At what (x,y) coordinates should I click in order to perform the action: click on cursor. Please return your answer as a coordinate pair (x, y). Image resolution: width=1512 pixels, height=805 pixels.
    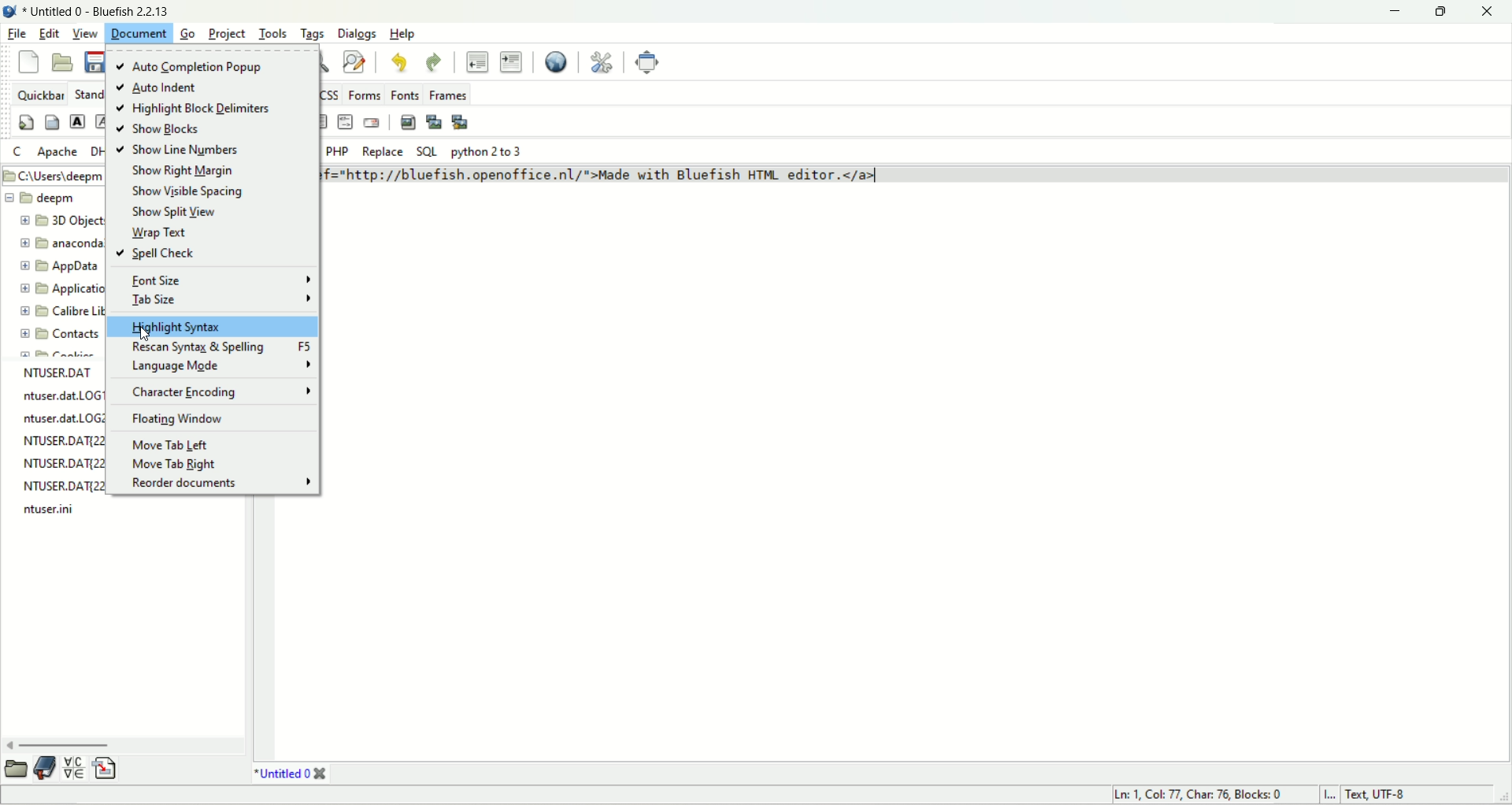
    Looking at the image, I should click on (149, 337).